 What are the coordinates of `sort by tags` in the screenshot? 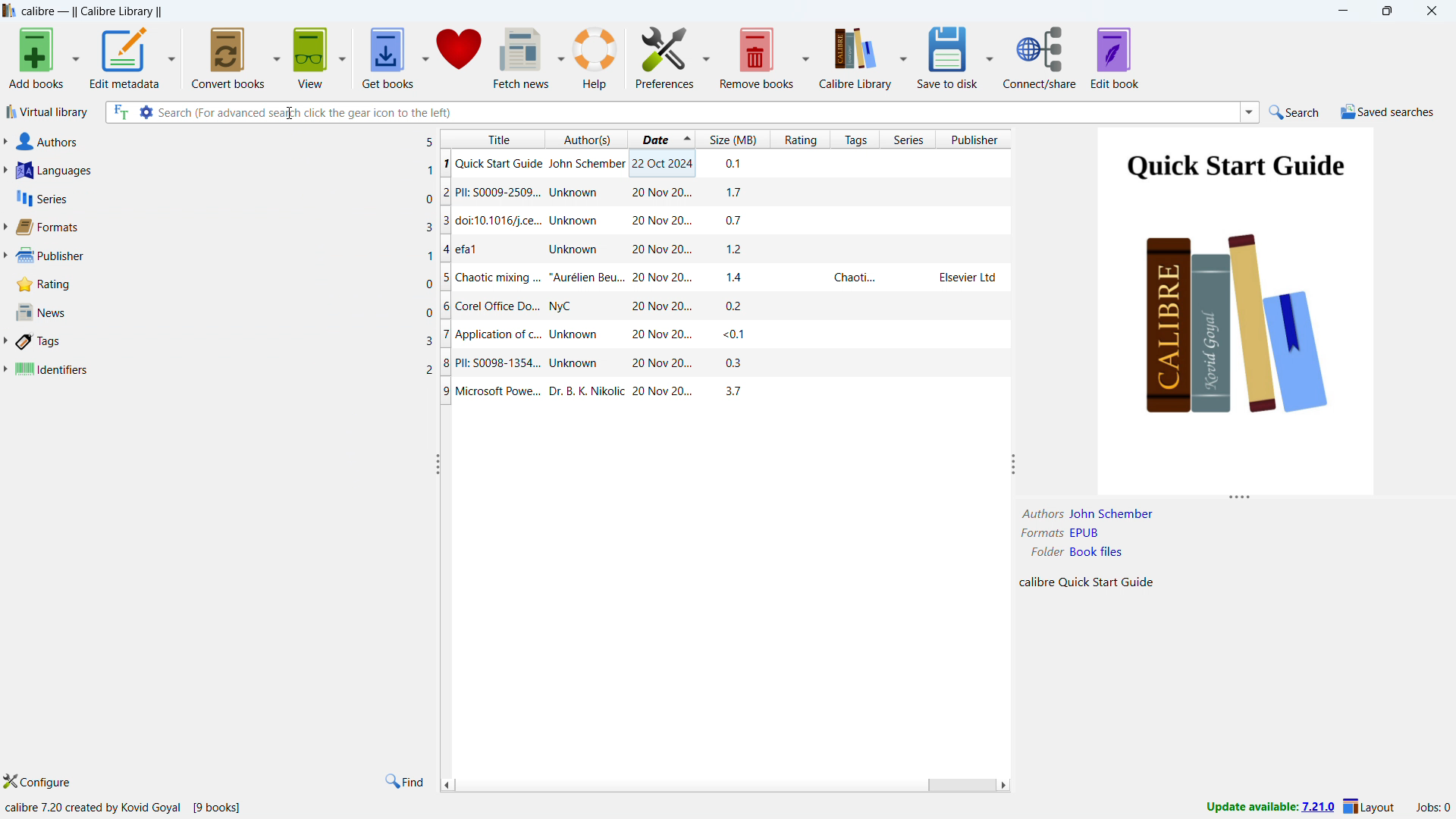 It's located at (855, 139).